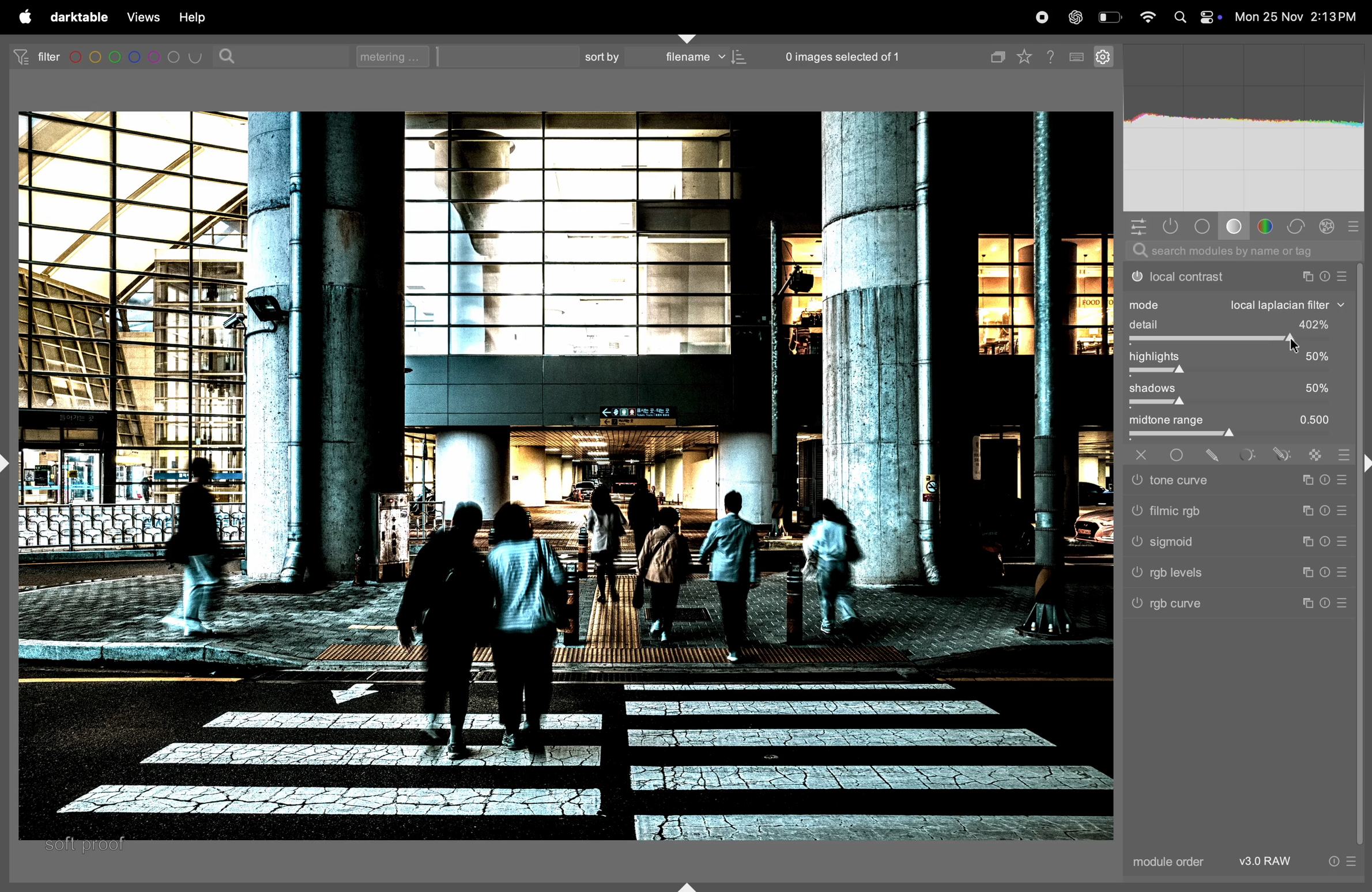  I want to click on reset, so click(1326, 603).